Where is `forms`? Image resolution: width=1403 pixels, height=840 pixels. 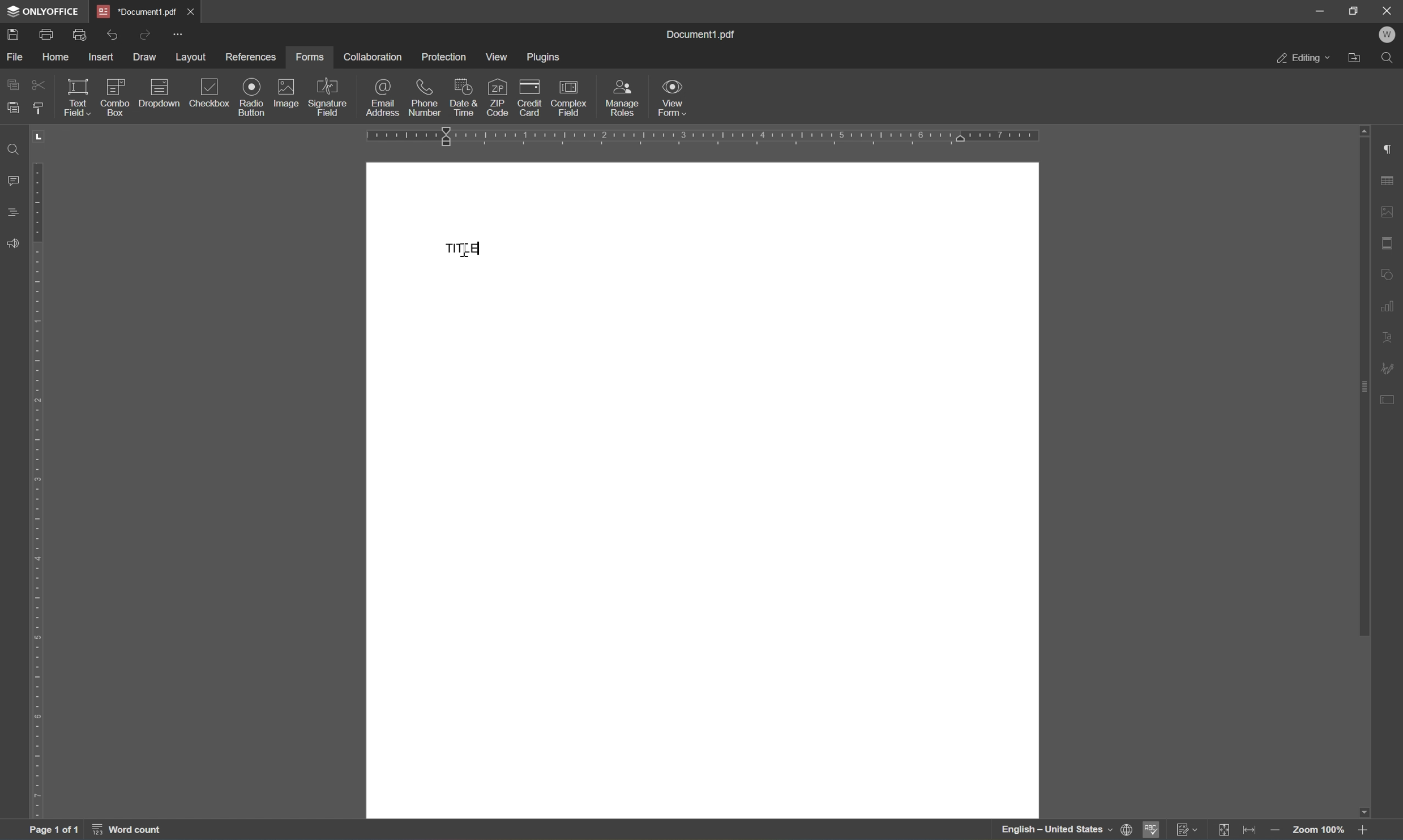
forms is located at coordinates (311, 57).